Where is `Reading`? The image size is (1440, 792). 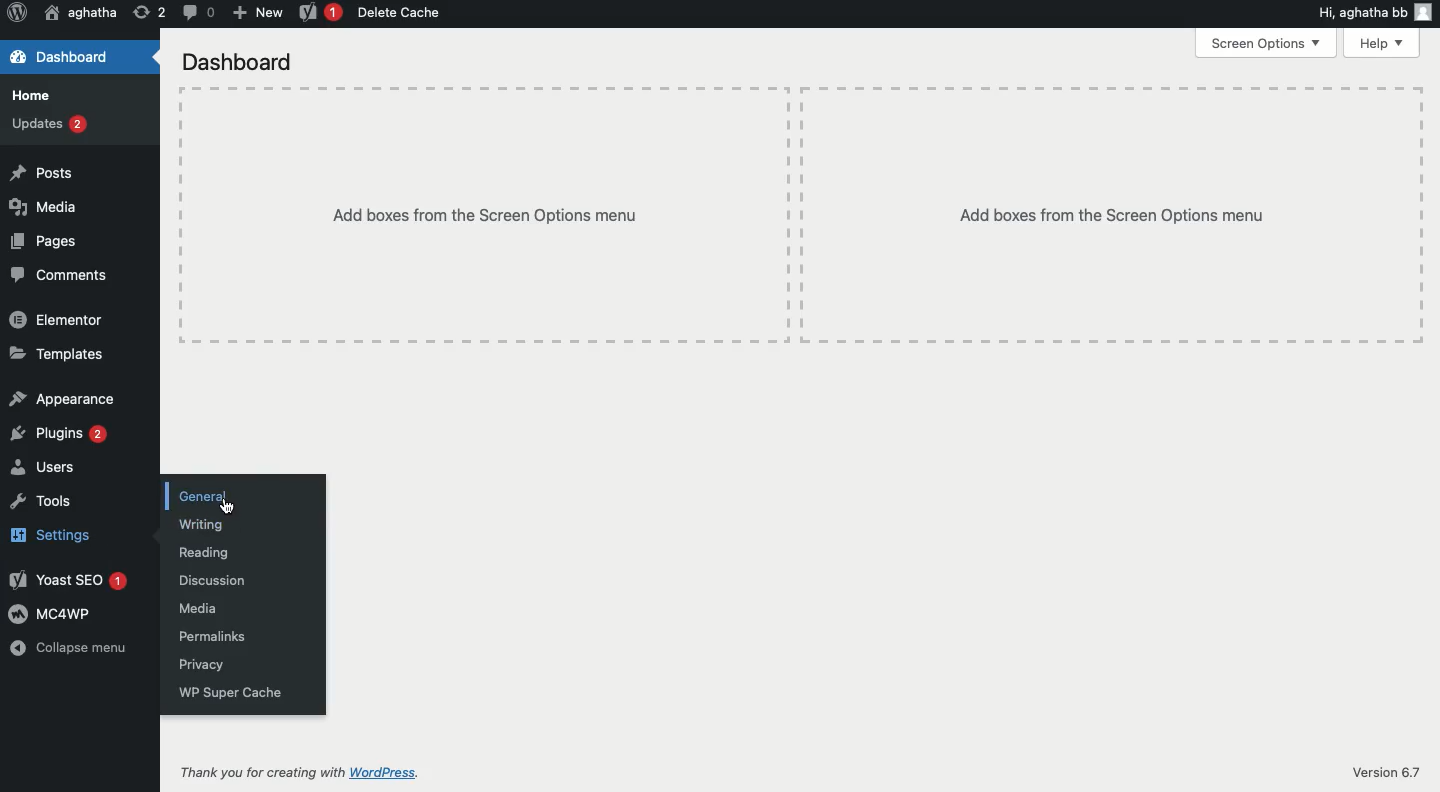
Reading is located at coordinates (203, 552).